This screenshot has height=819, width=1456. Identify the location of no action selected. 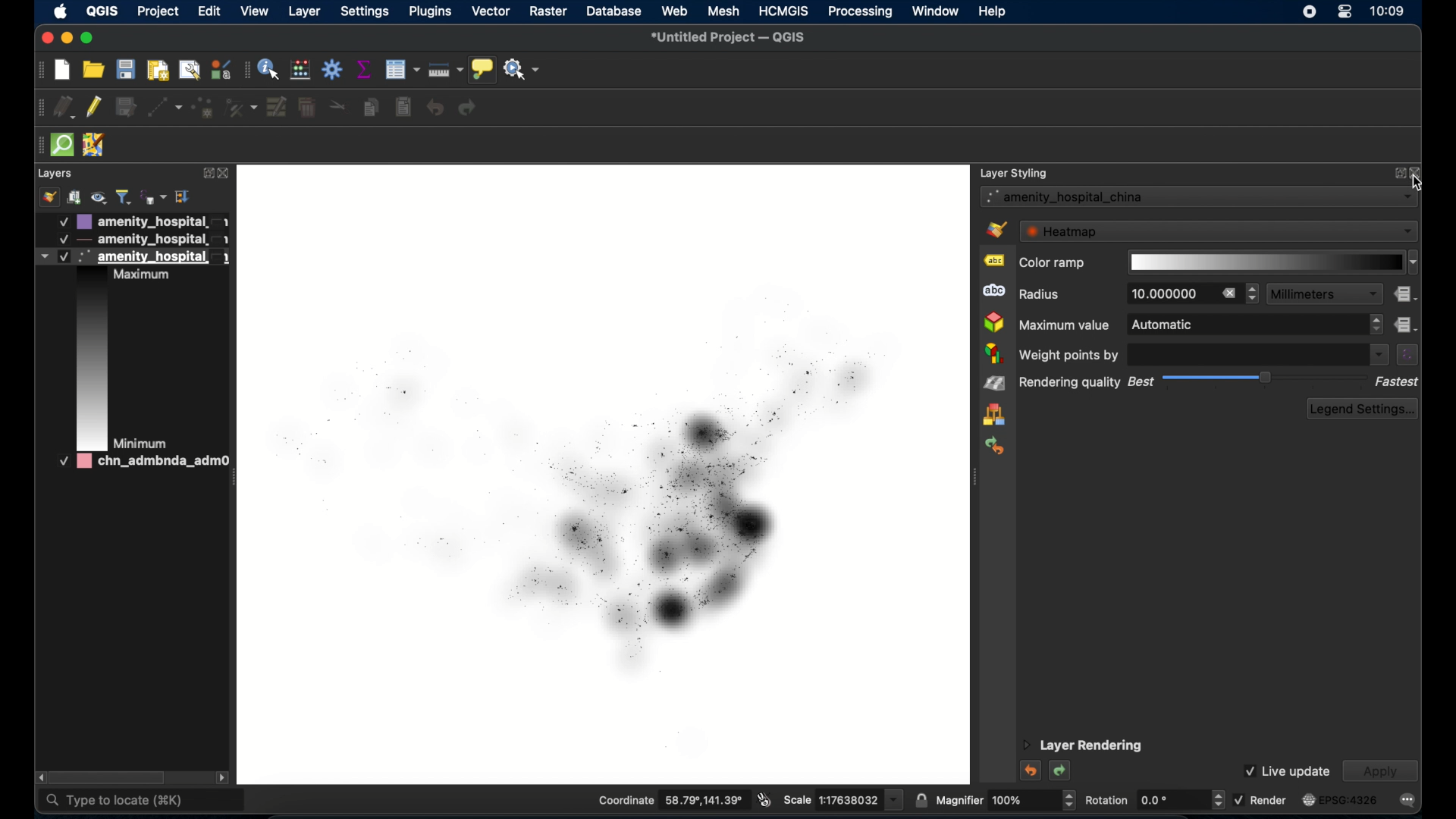
(523, 70).